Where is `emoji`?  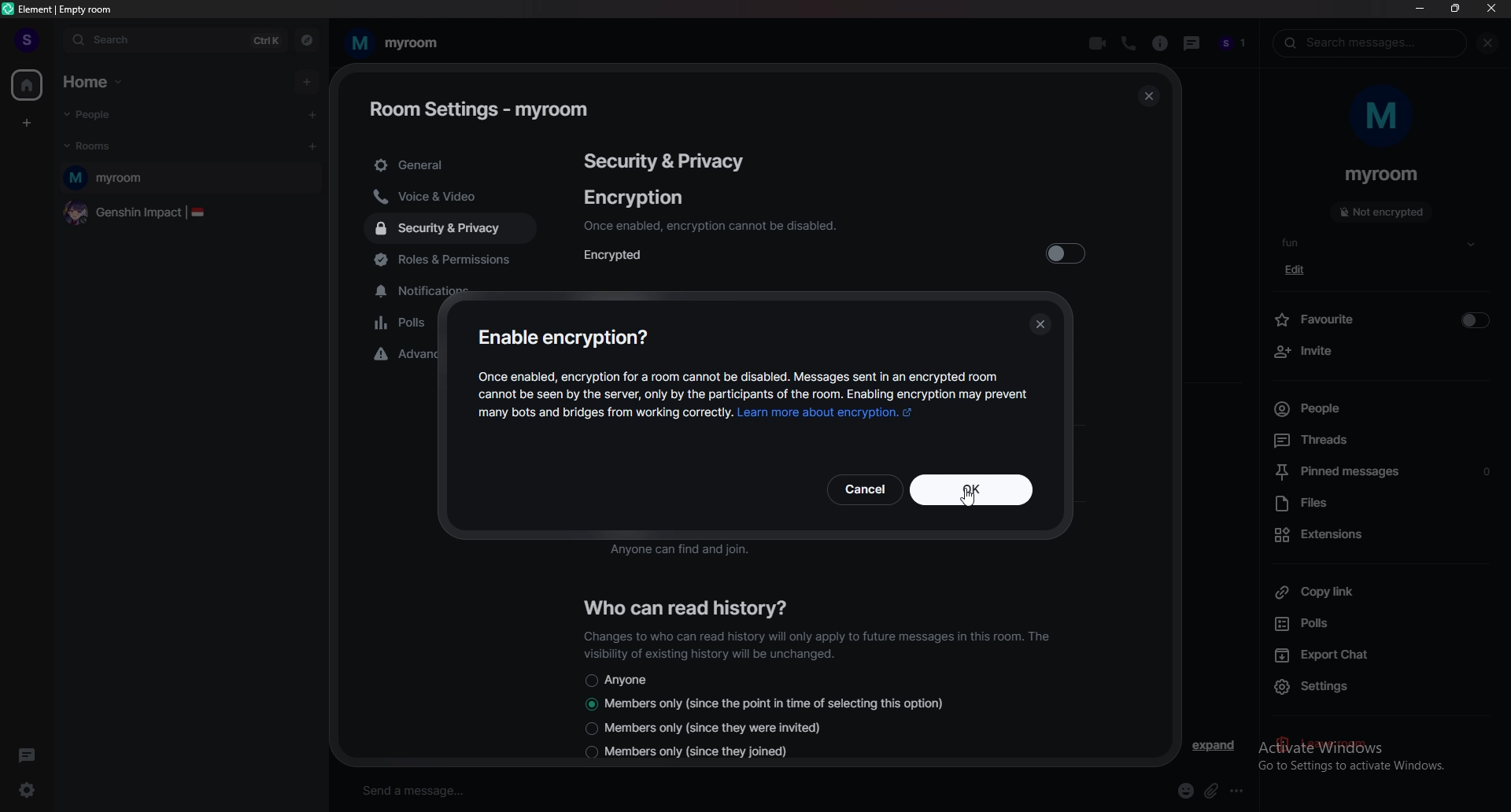
emoji is located at coordinates (1185, 792).